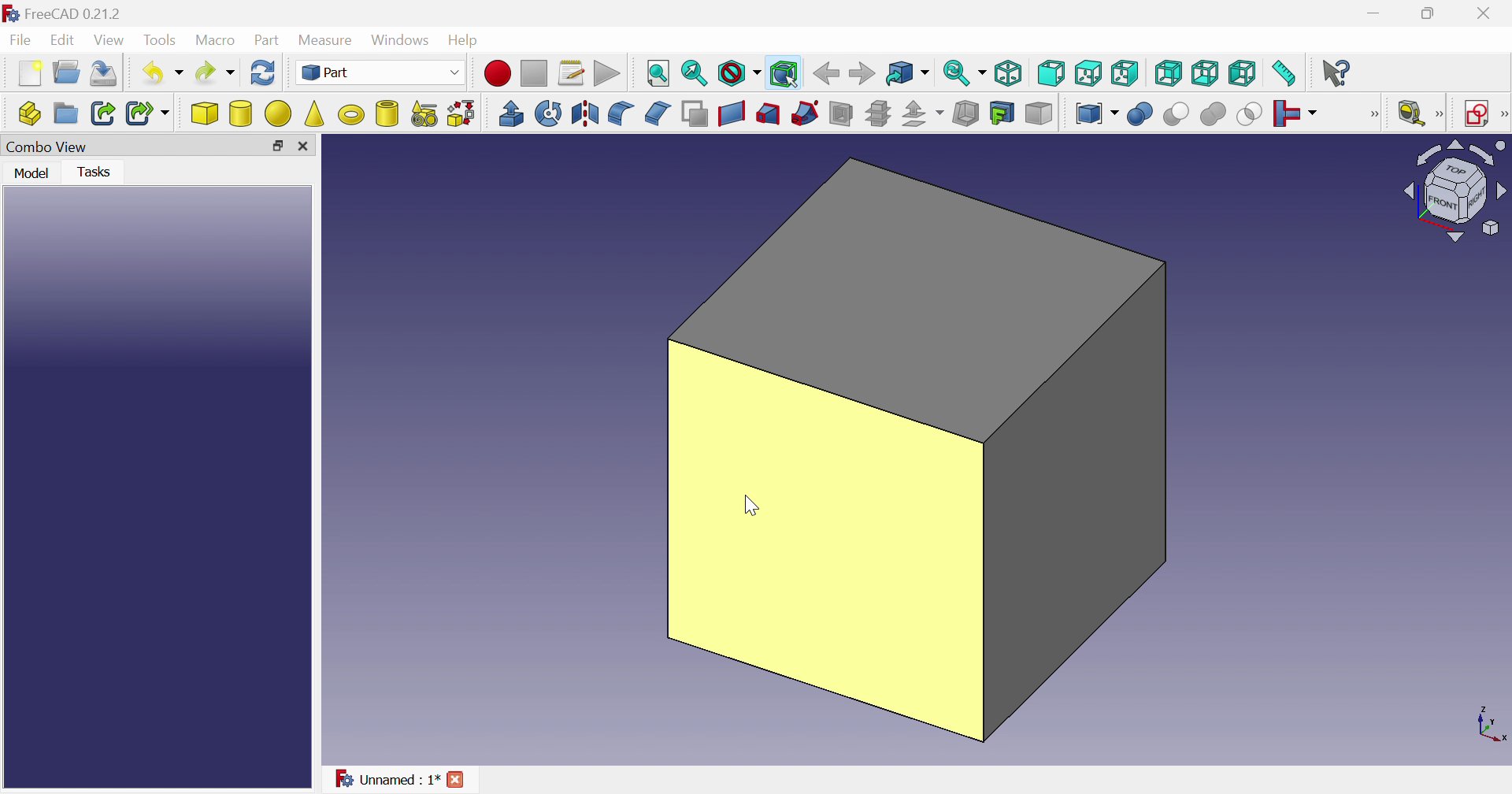  Describe the element at coordinates (841, 113) in the screenshot. I see `Section` at that location.